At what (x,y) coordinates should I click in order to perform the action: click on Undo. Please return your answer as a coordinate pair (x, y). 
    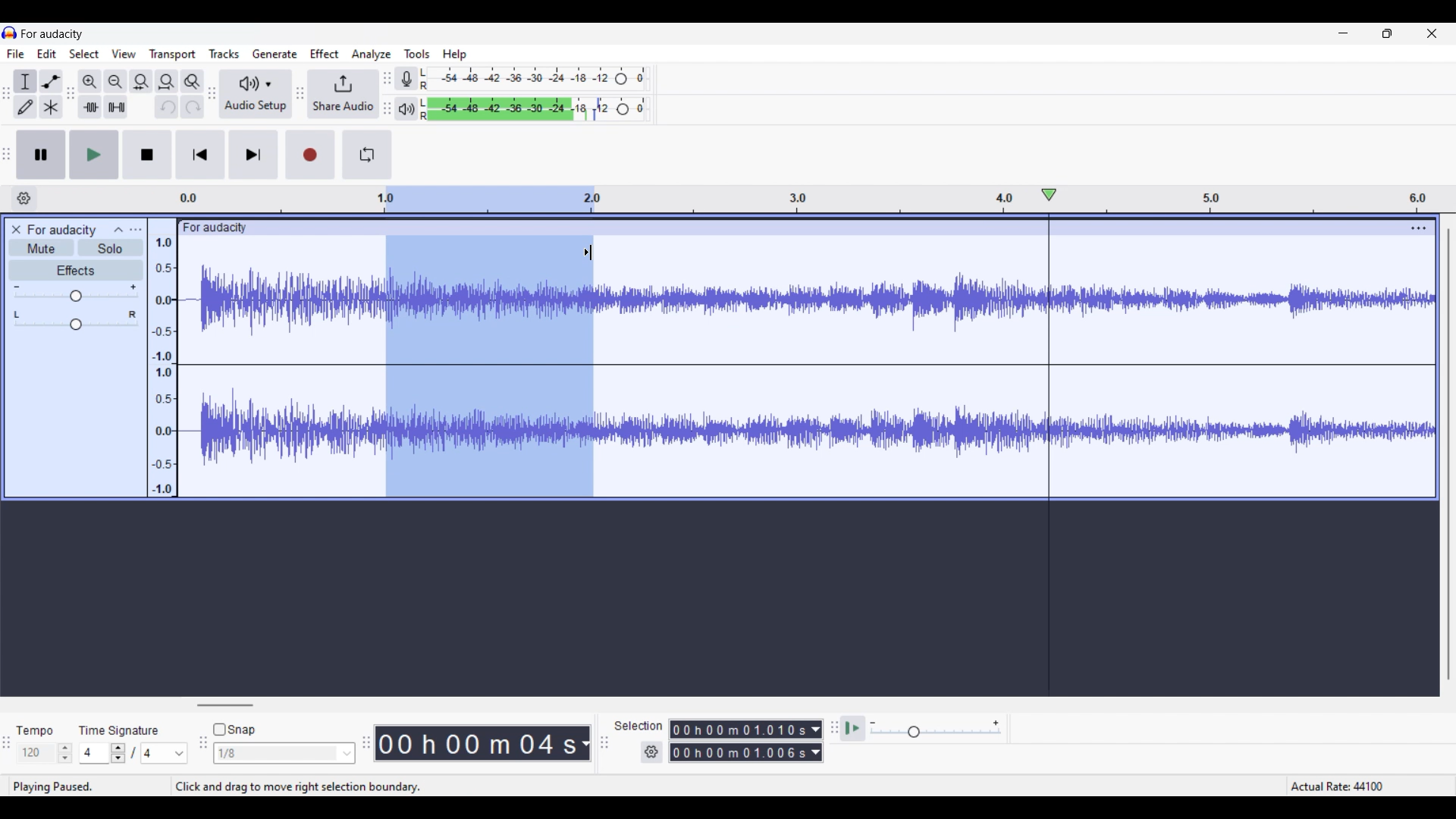
    Looking at the image, I should click on (167, 106).